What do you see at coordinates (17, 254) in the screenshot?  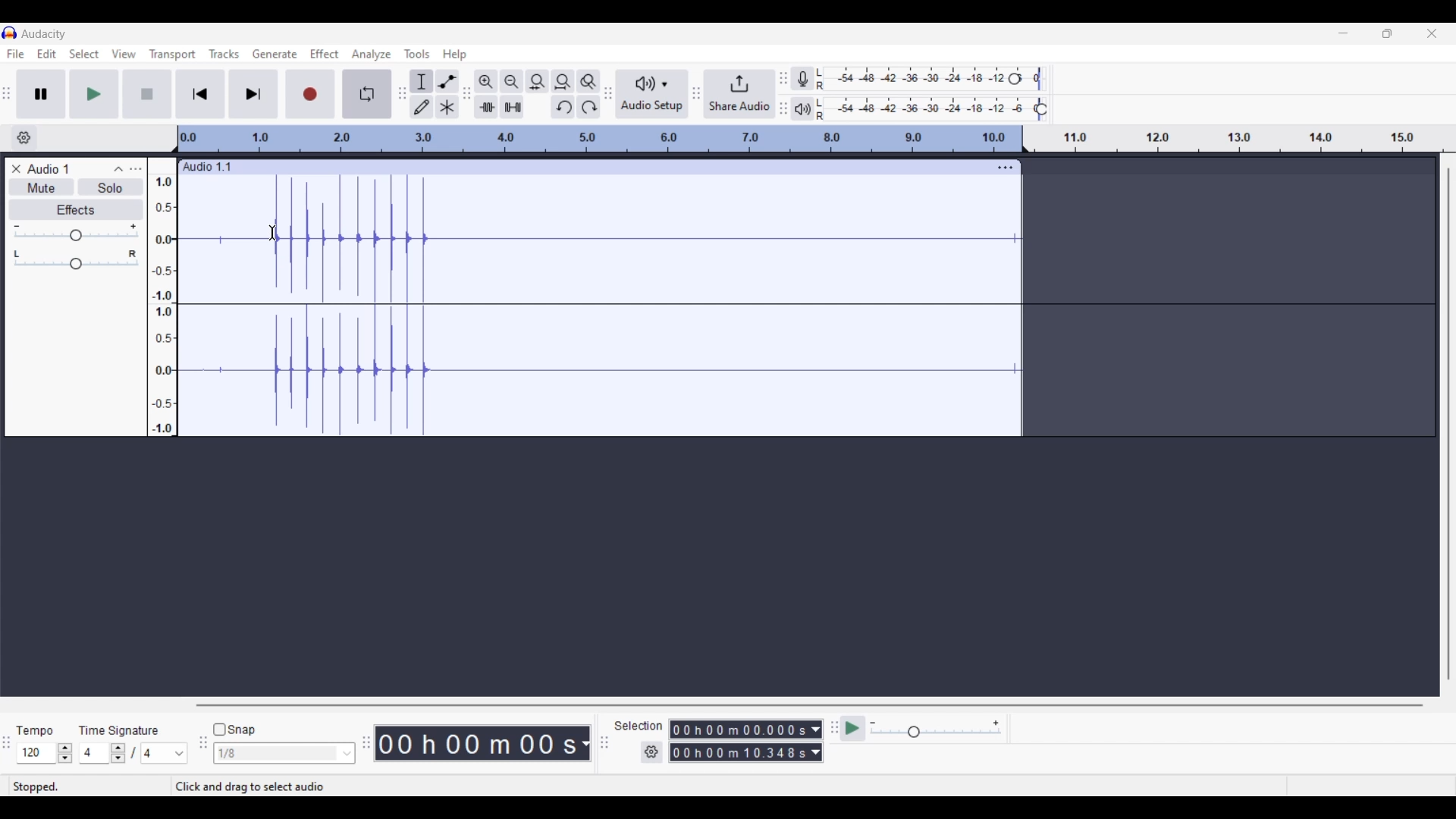 I see `Pan to left` at bounding box center [17, 254].